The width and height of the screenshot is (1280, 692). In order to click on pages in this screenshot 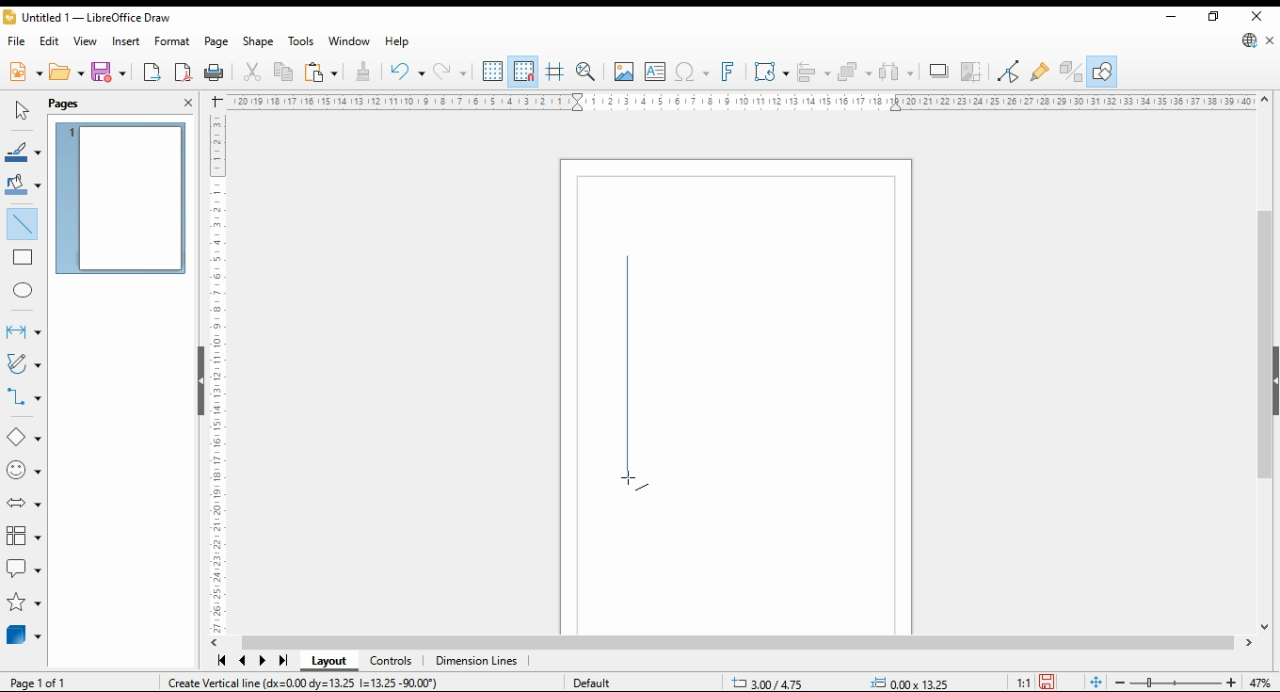, I will do `click(82, 102)`.